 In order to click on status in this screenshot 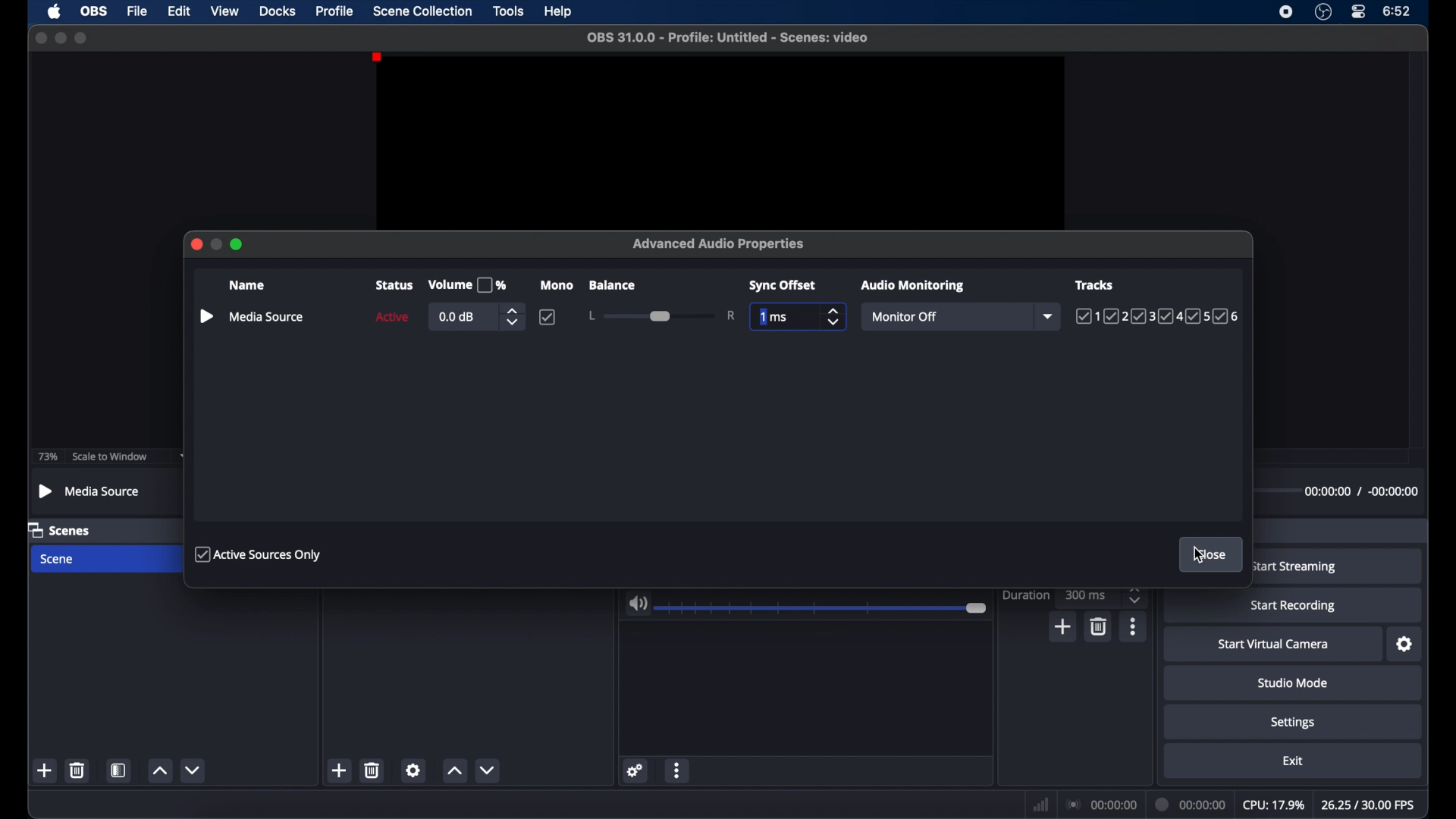, I will do `click(394, 284)`.